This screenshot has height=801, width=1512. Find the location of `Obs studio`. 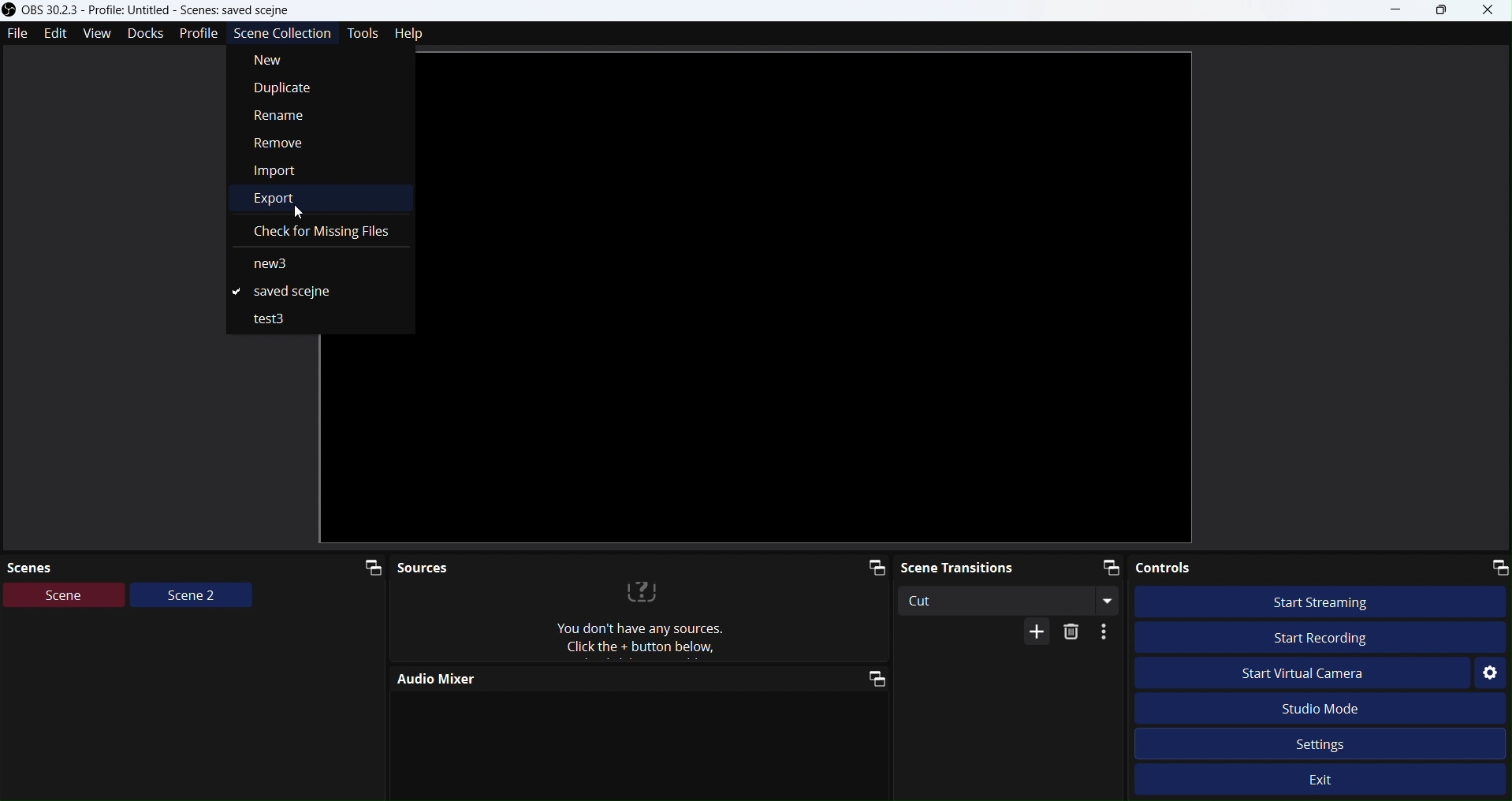

Obs studio is located at coordinates (152, 9).